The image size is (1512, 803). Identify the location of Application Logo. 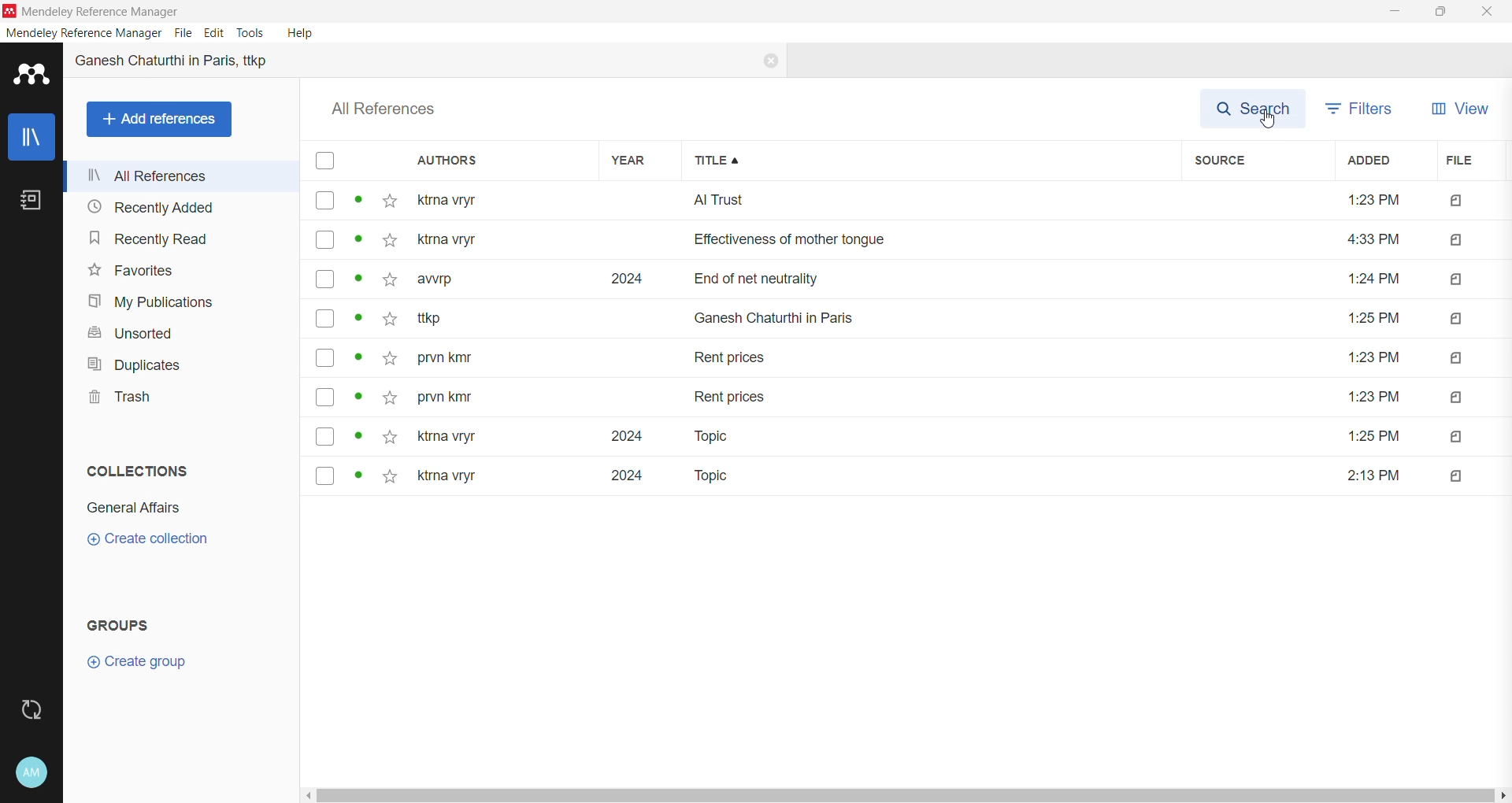
(27, 77).